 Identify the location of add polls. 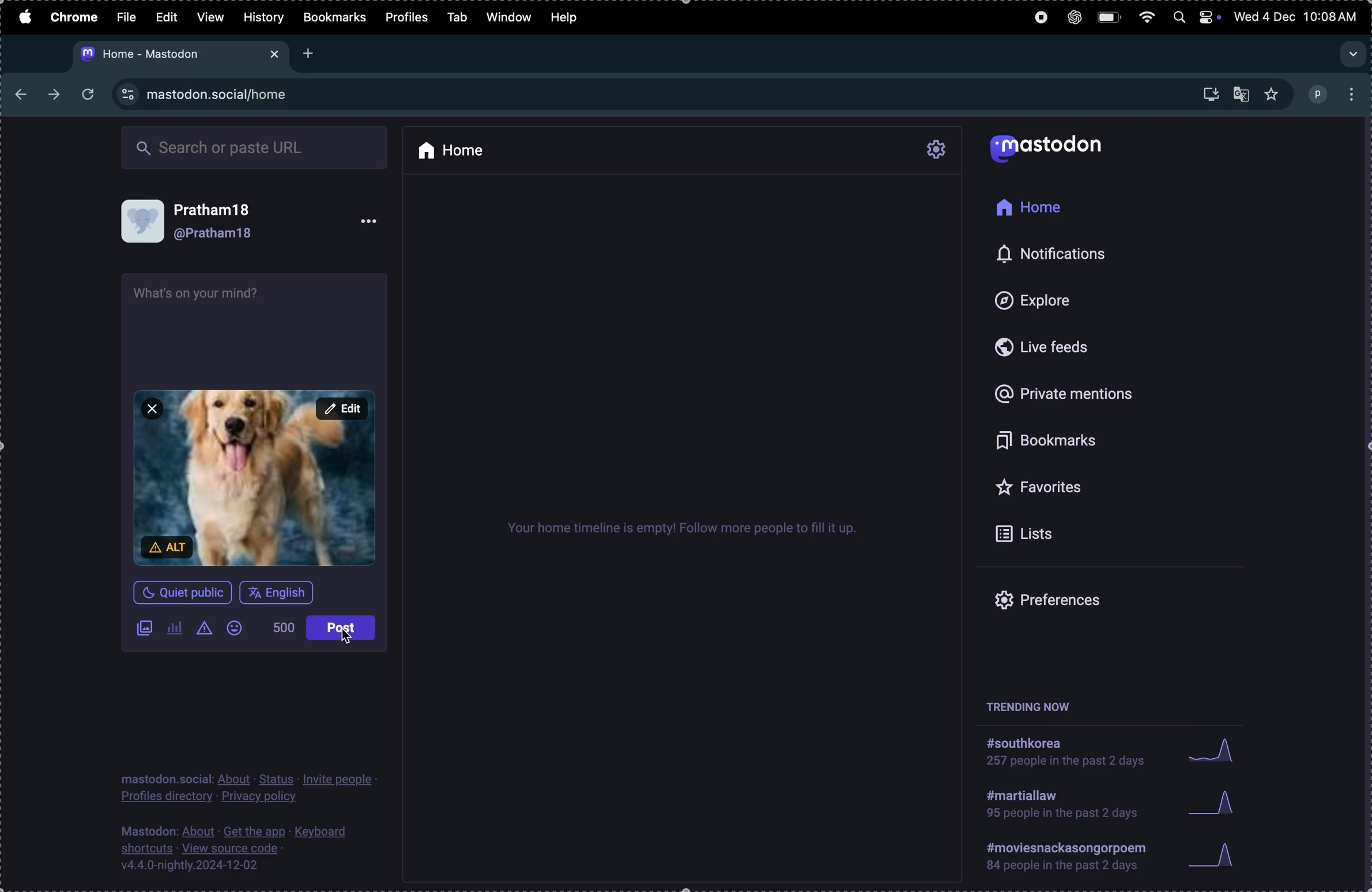
(174, 630).